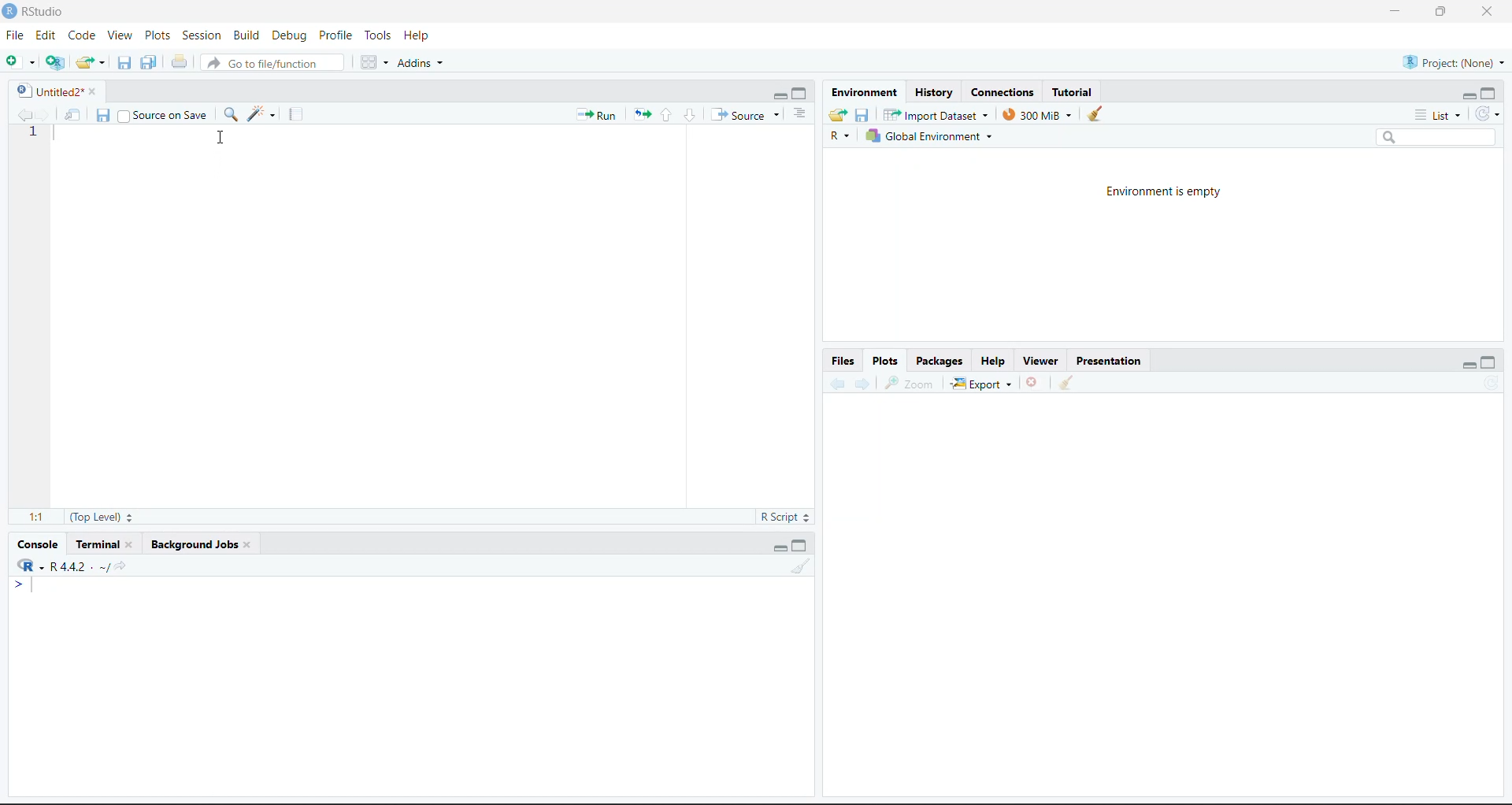 Image resolution: width=1512 pixels, height=805 pixels. I want to click on Source on Save, so click(164, 116).